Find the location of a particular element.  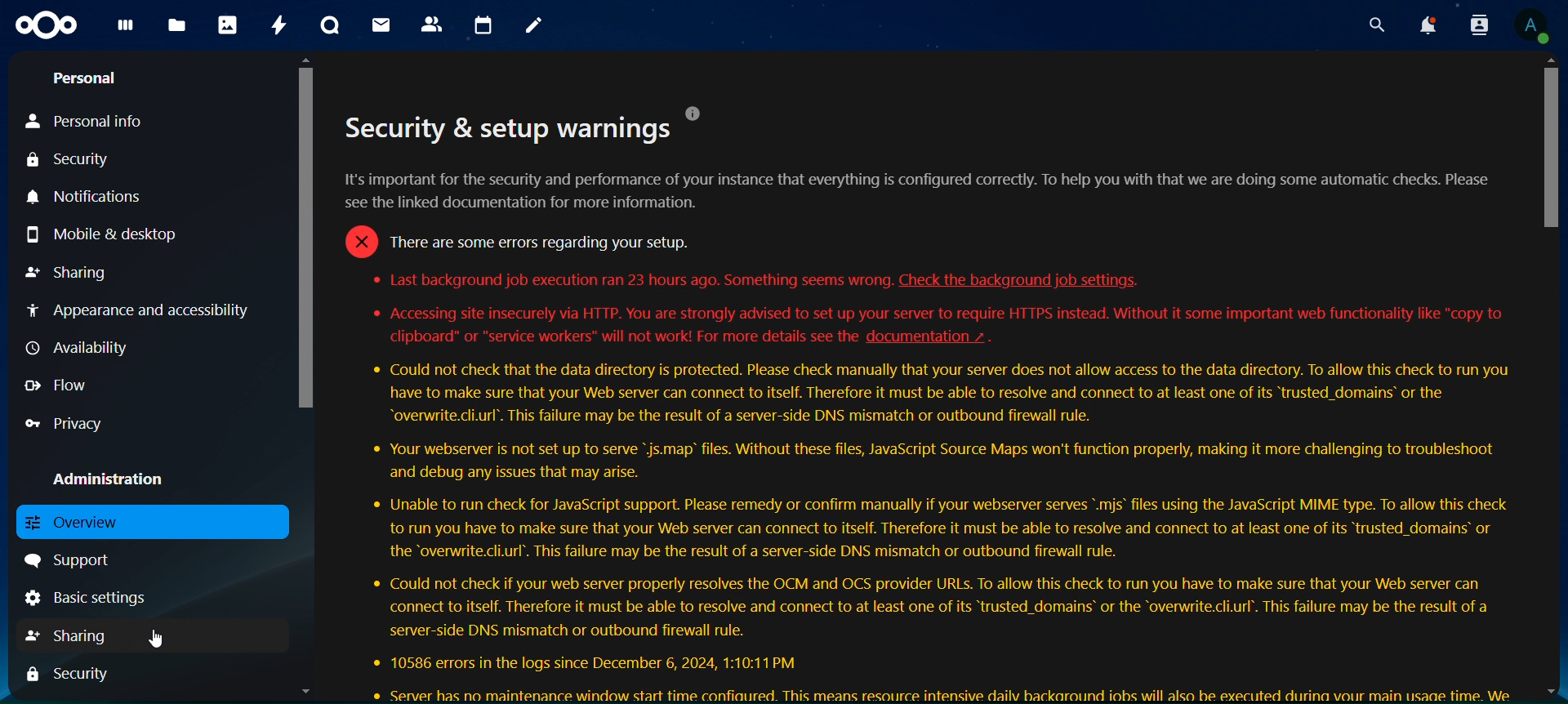

security is located at coordinates (68, 672).